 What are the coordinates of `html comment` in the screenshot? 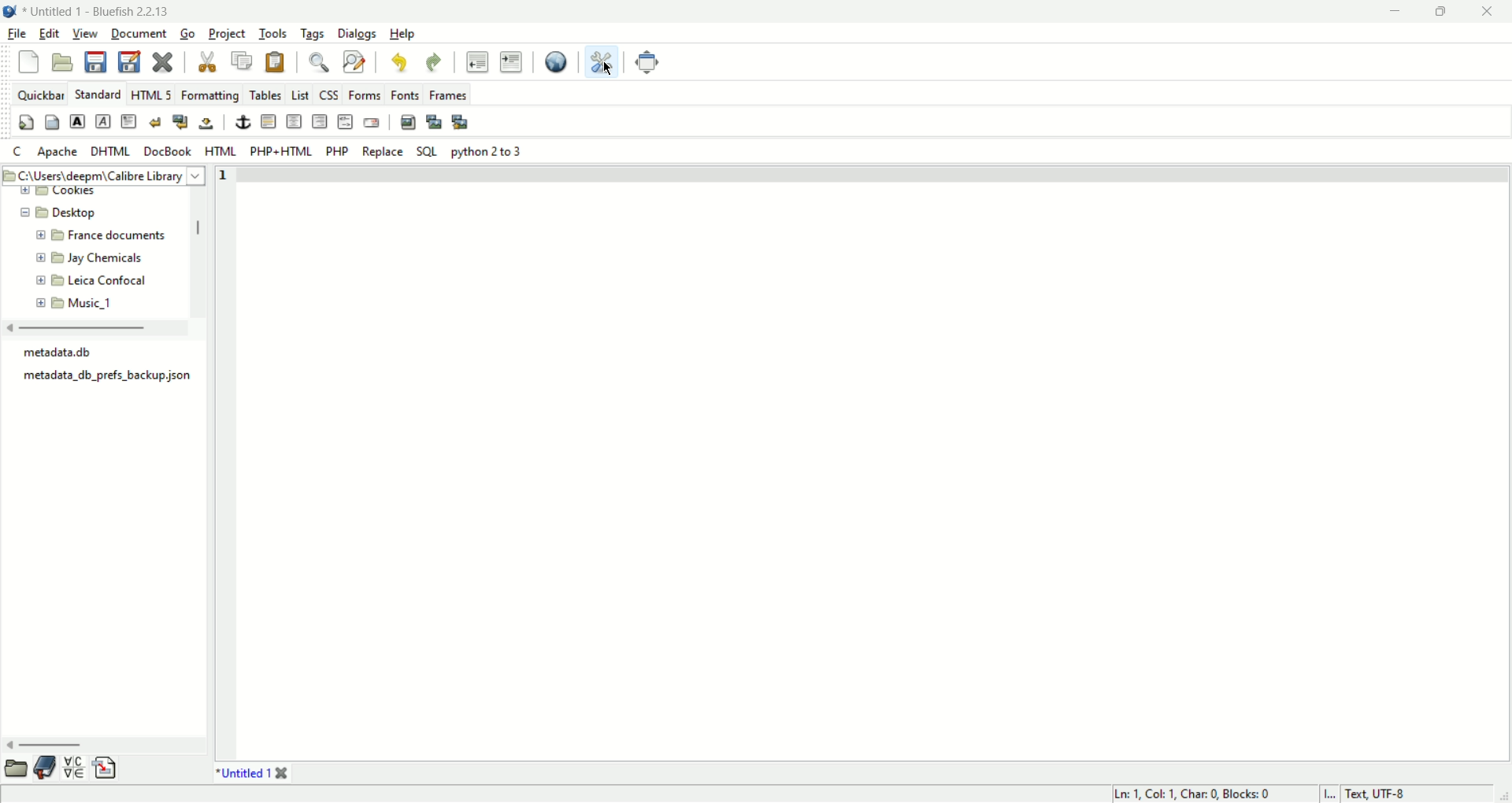 It's located at (346, 122).